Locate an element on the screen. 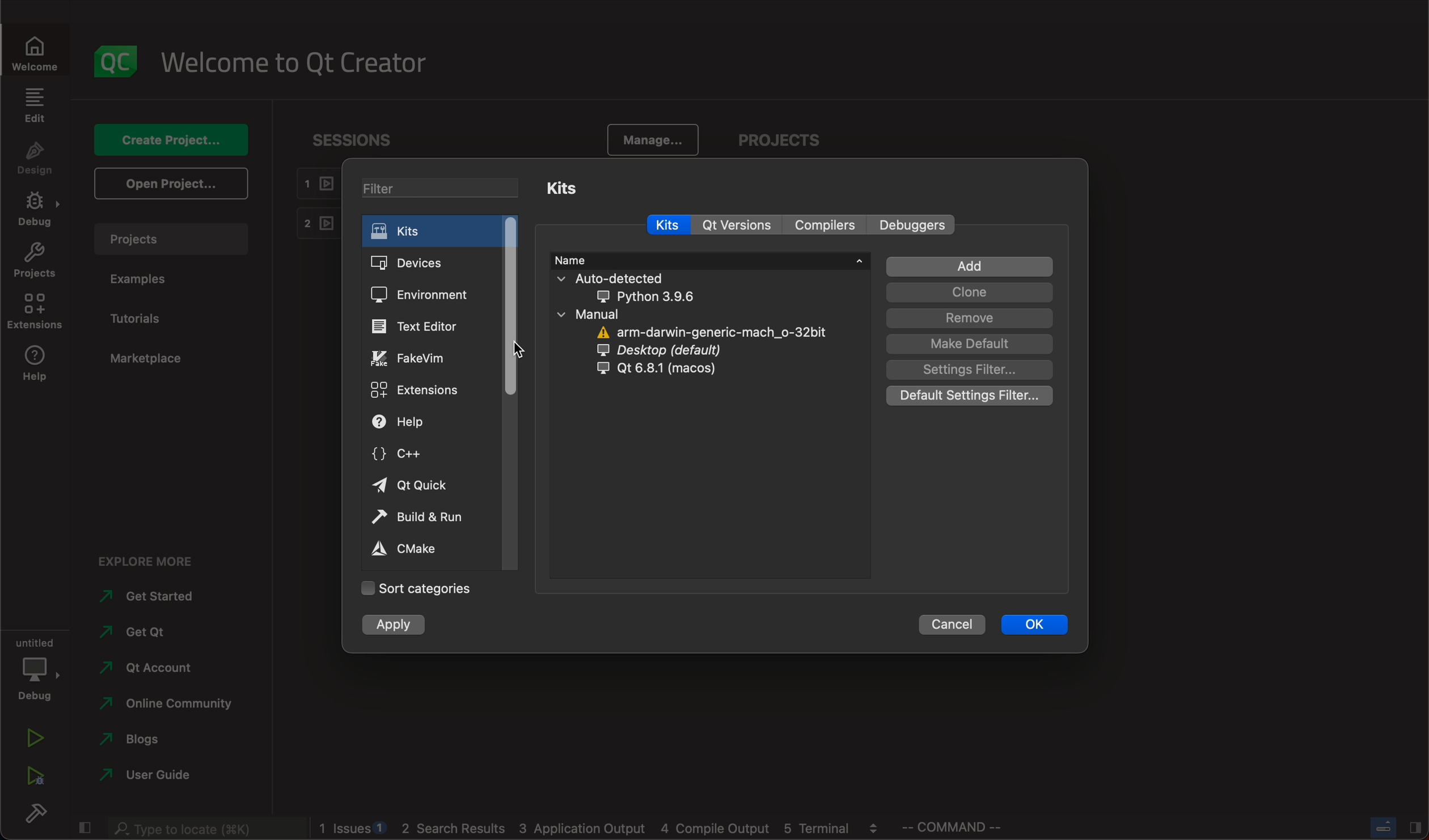 The width and height of the screenshot is (1429, 840). create is located at coordinates (168, 139).